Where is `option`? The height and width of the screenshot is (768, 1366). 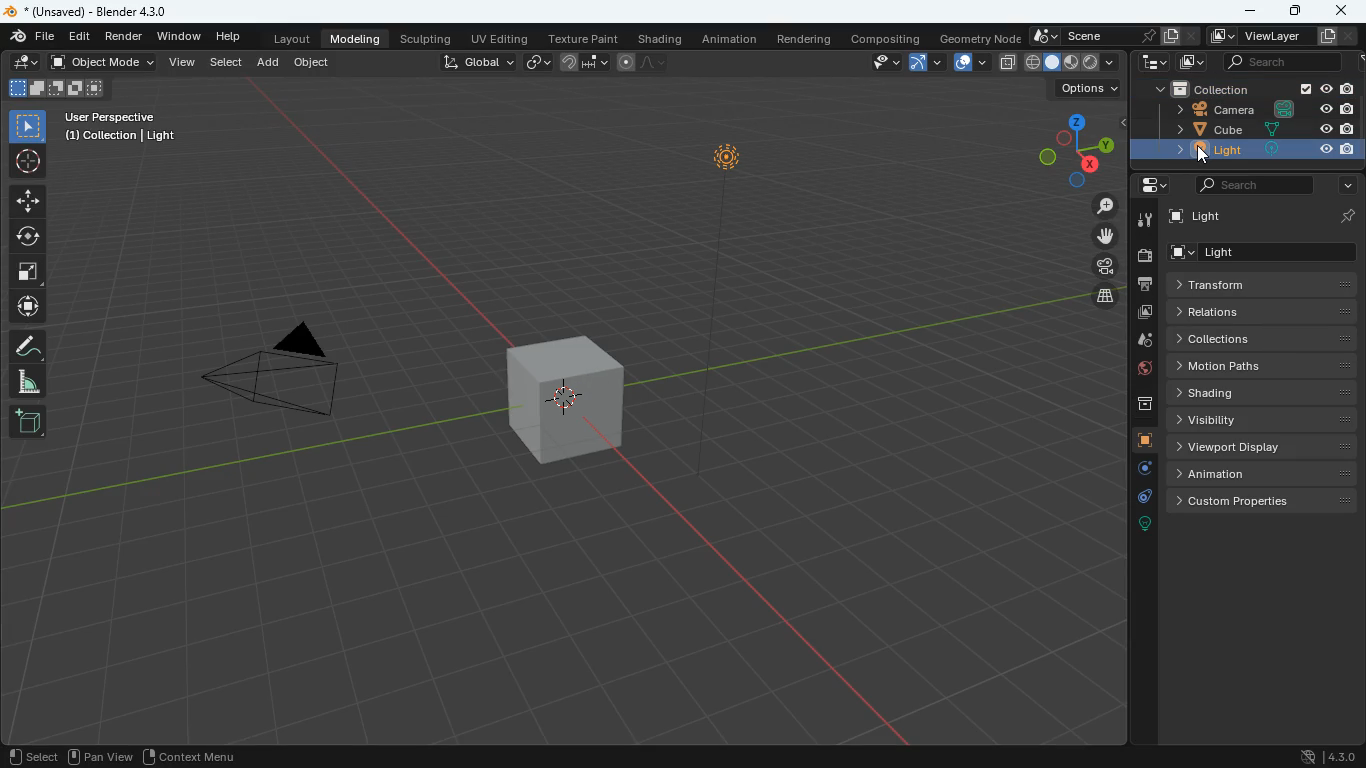 option is located at coordinates (1084, 89).